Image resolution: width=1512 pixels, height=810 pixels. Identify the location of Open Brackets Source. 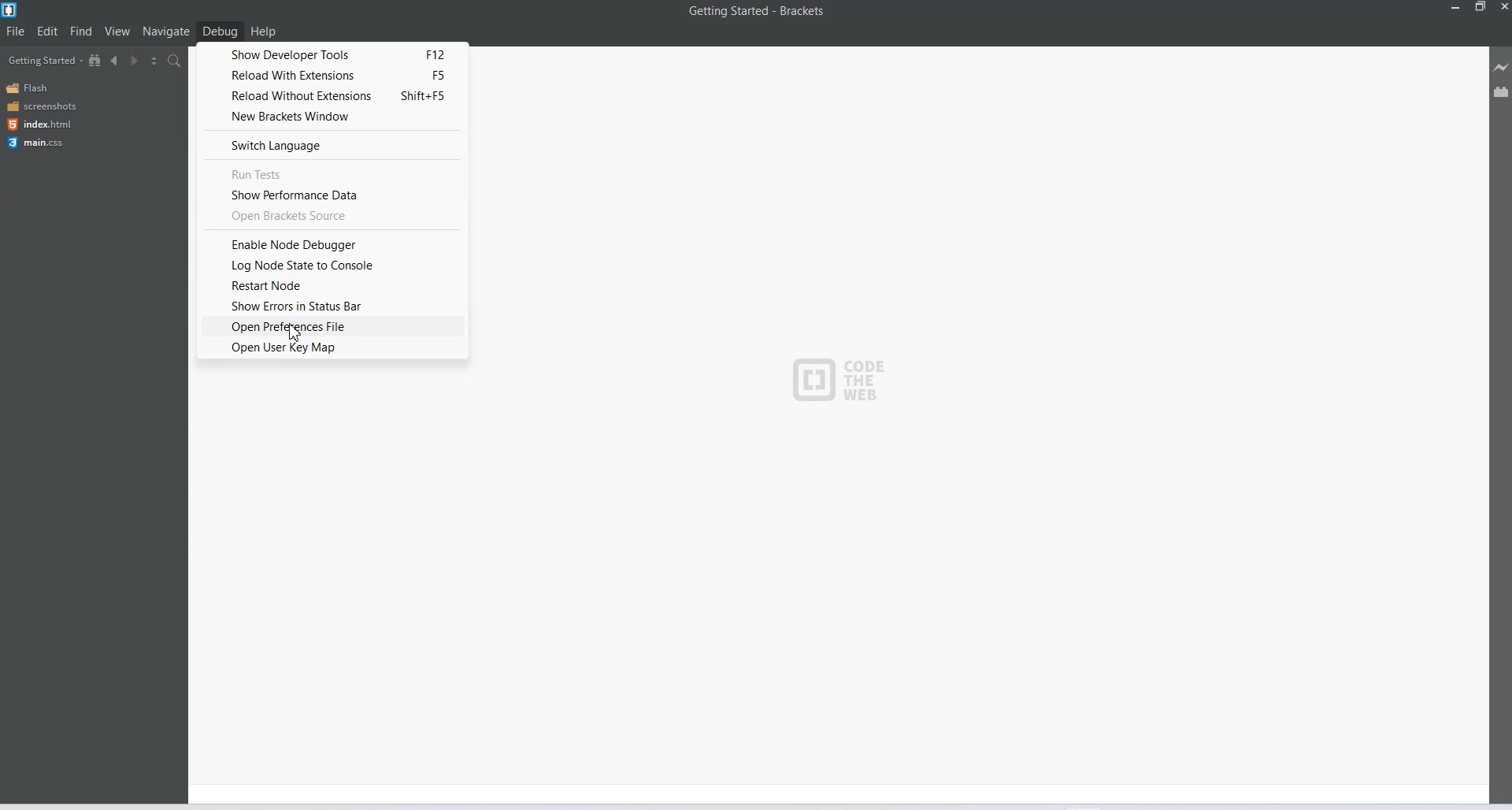
(334, 216).